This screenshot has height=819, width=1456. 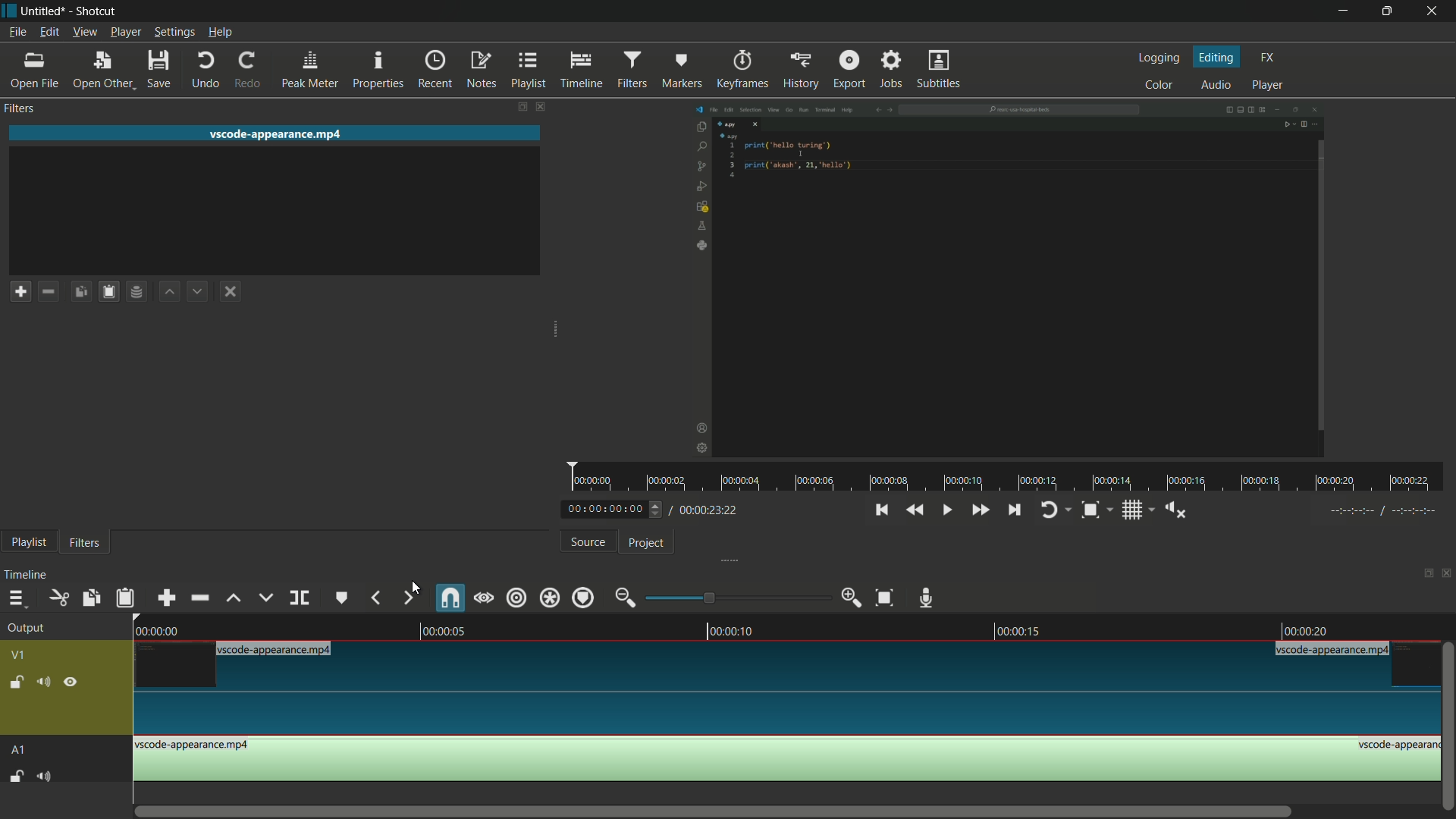 What do you see at coordinates (375, 598) in the screenshot?
I see `previous marker` at bounding box center [375, 598].